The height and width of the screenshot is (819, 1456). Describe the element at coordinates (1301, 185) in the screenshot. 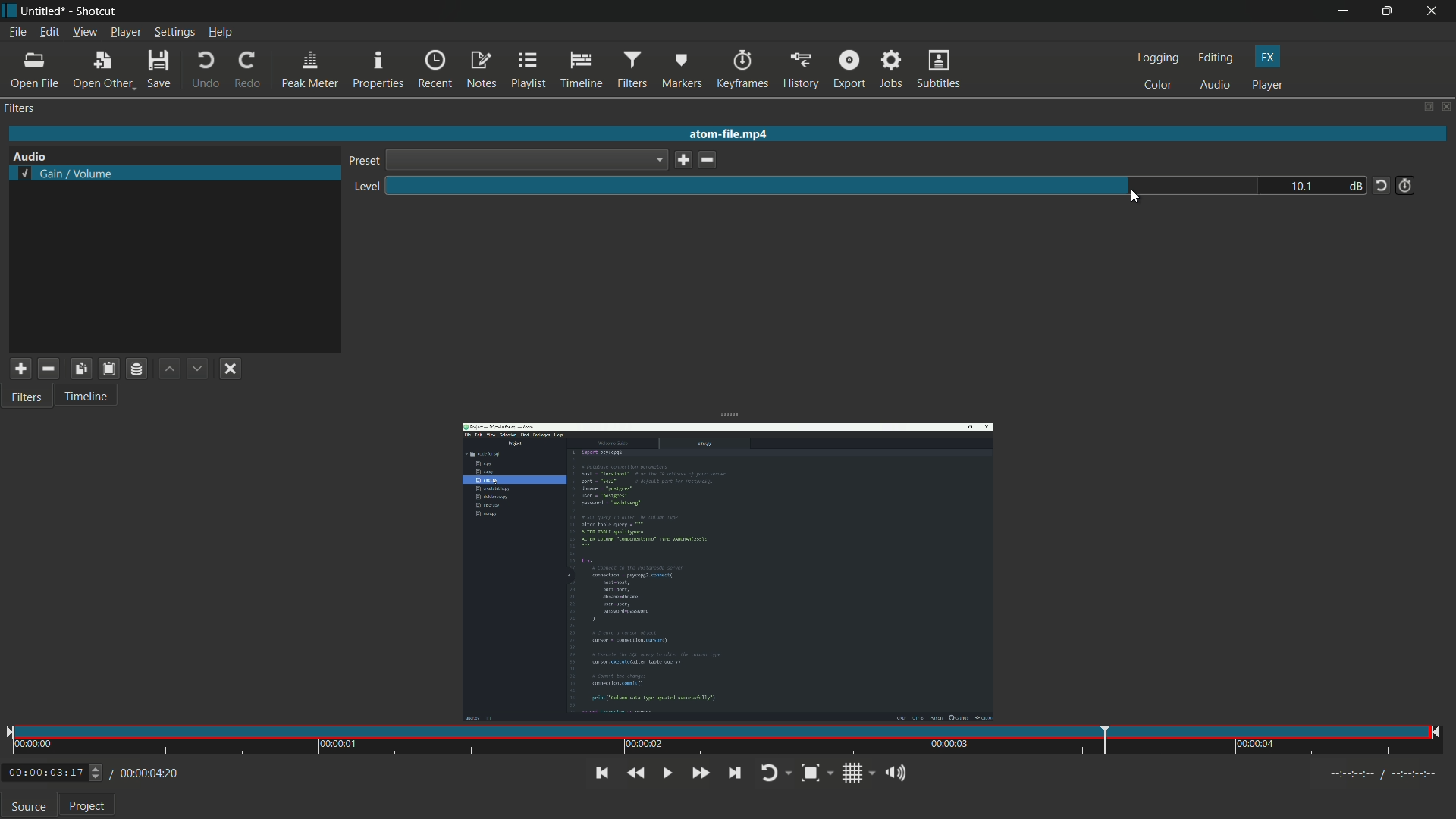

I see `10.1` at that location.